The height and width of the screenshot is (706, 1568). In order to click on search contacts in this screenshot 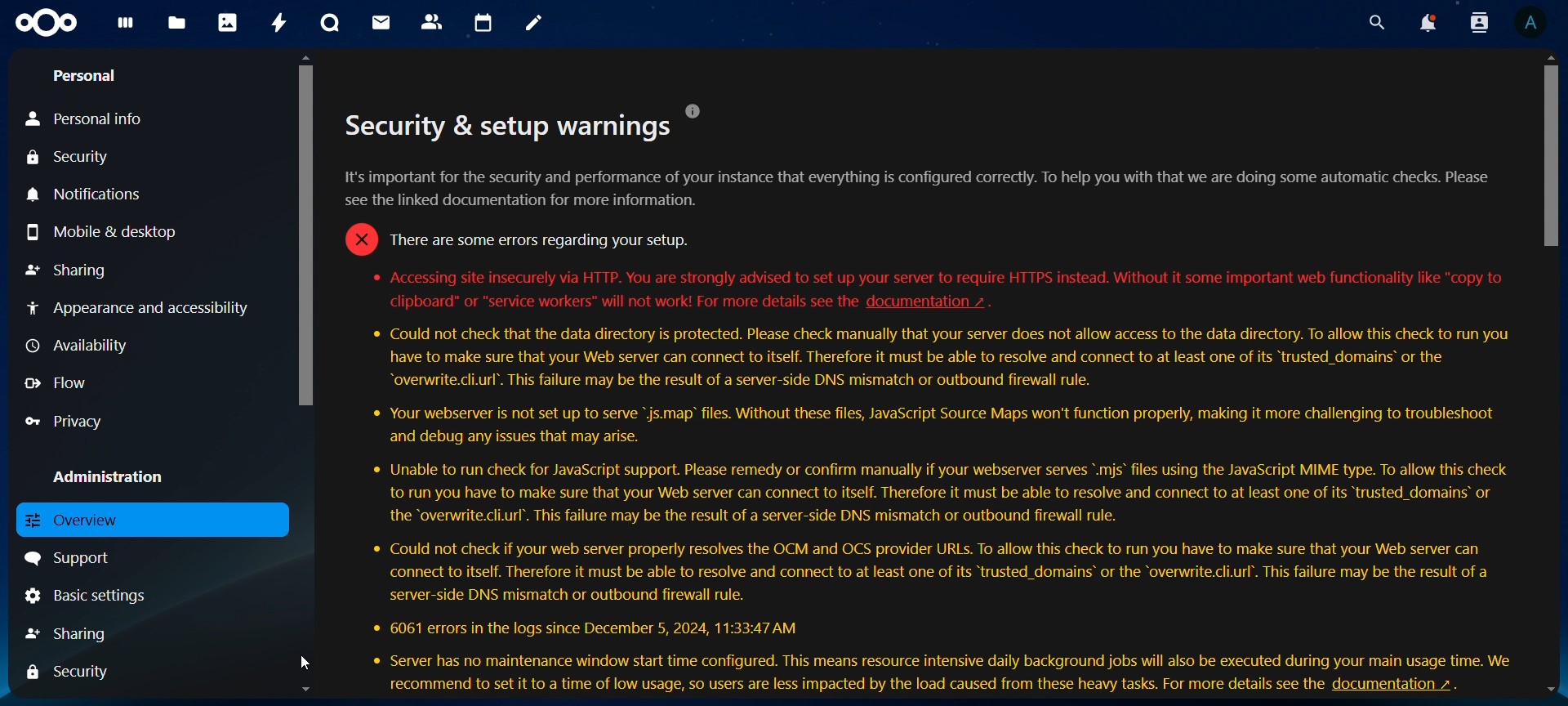, I will do `click(1479, 25)`.